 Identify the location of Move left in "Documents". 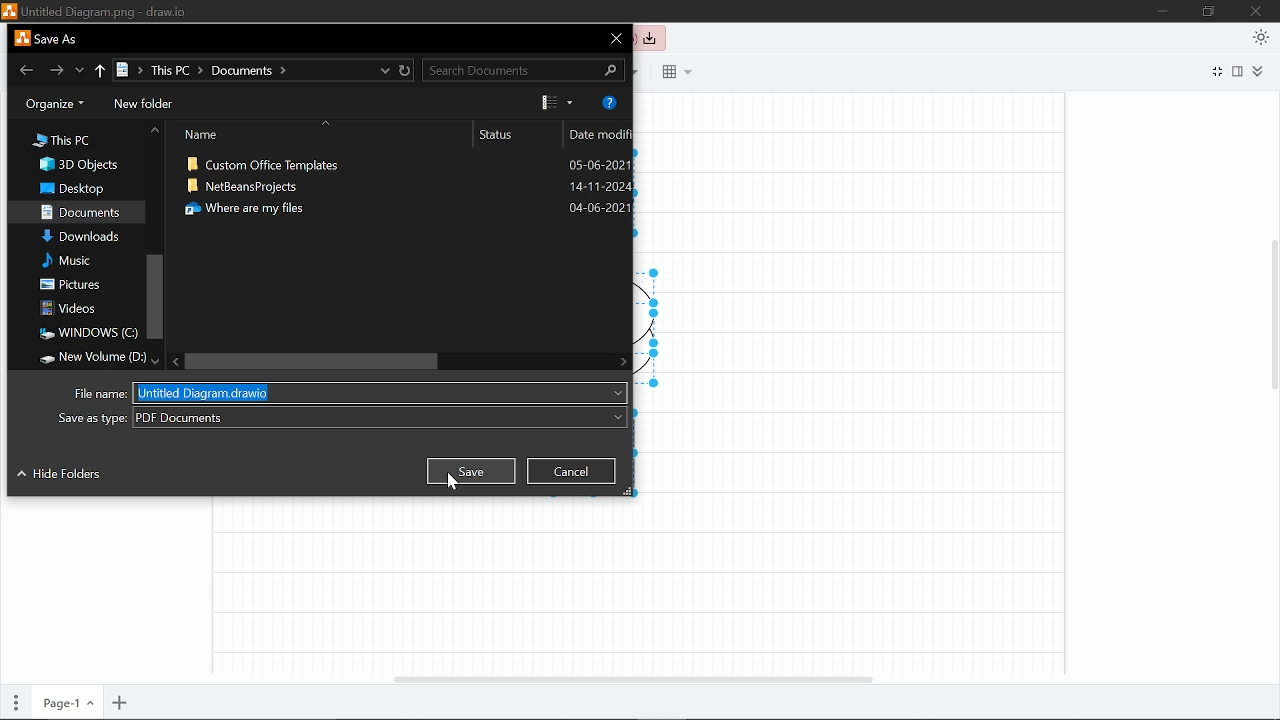
(174, 361).